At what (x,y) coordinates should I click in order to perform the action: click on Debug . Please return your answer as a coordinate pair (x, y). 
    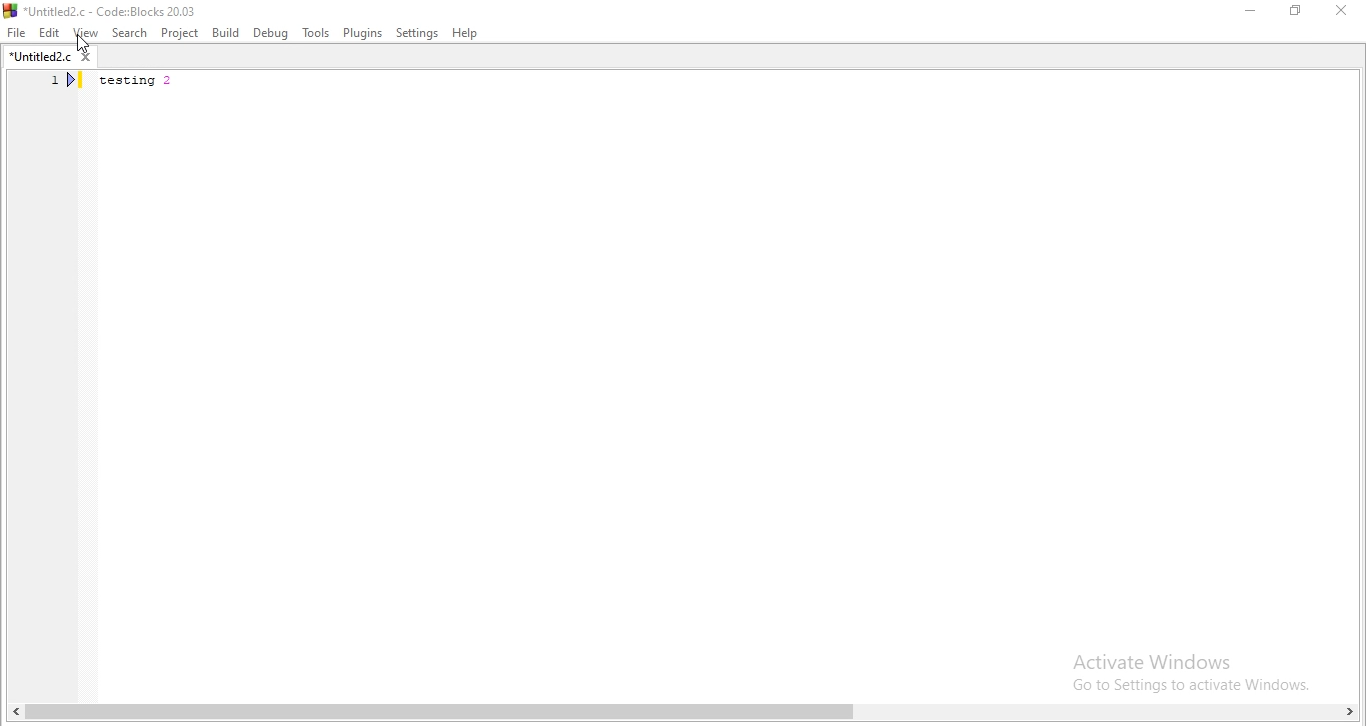
    Looking at the image, I should click on (271, 33).